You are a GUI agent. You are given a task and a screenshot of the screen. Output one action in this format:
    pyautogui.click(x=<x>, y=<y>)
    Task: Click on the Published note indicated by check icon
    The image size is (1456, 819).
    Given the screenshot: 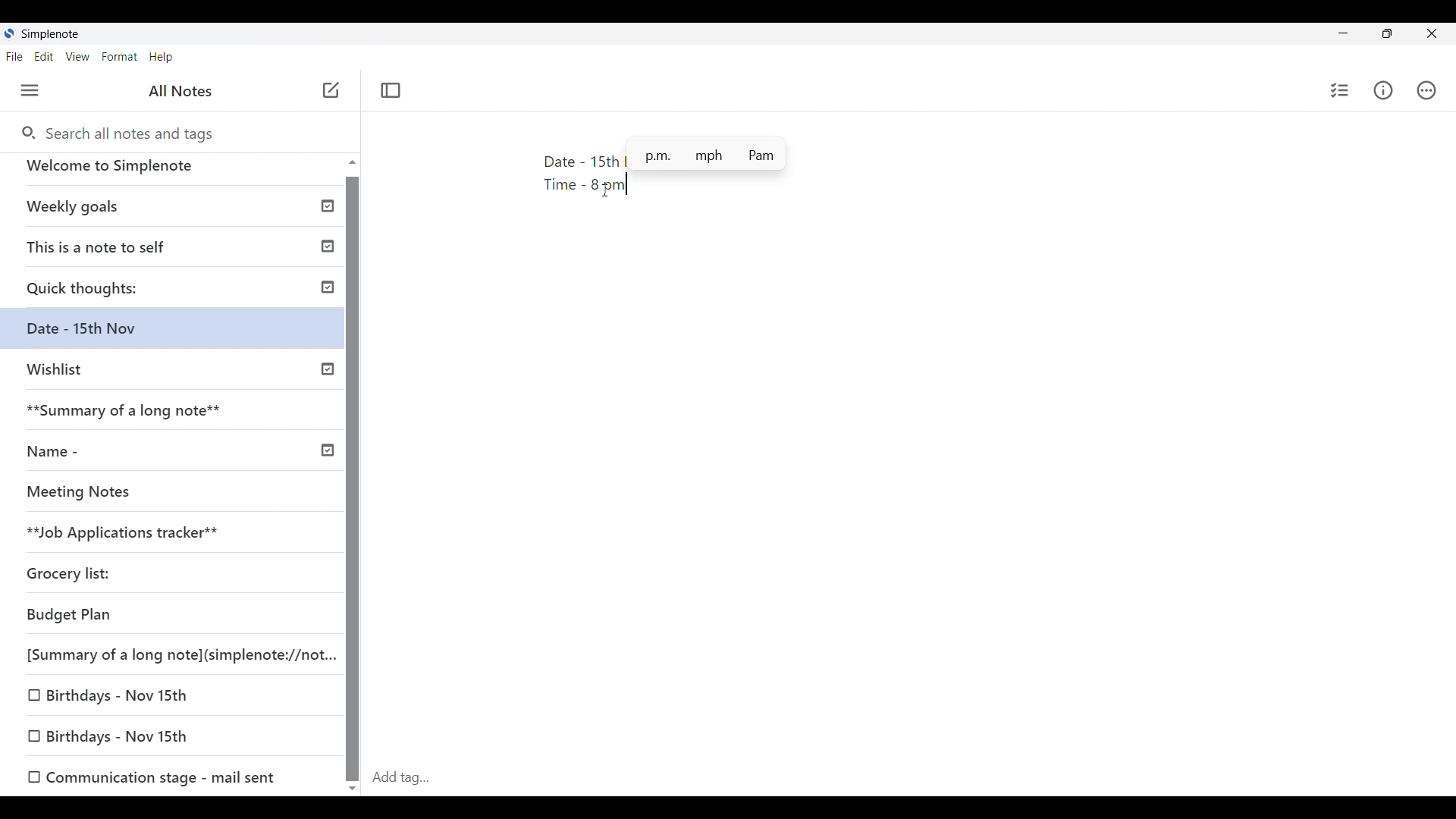 What is the action you would take?
    pyautogui.click(x=177, y=293)
    